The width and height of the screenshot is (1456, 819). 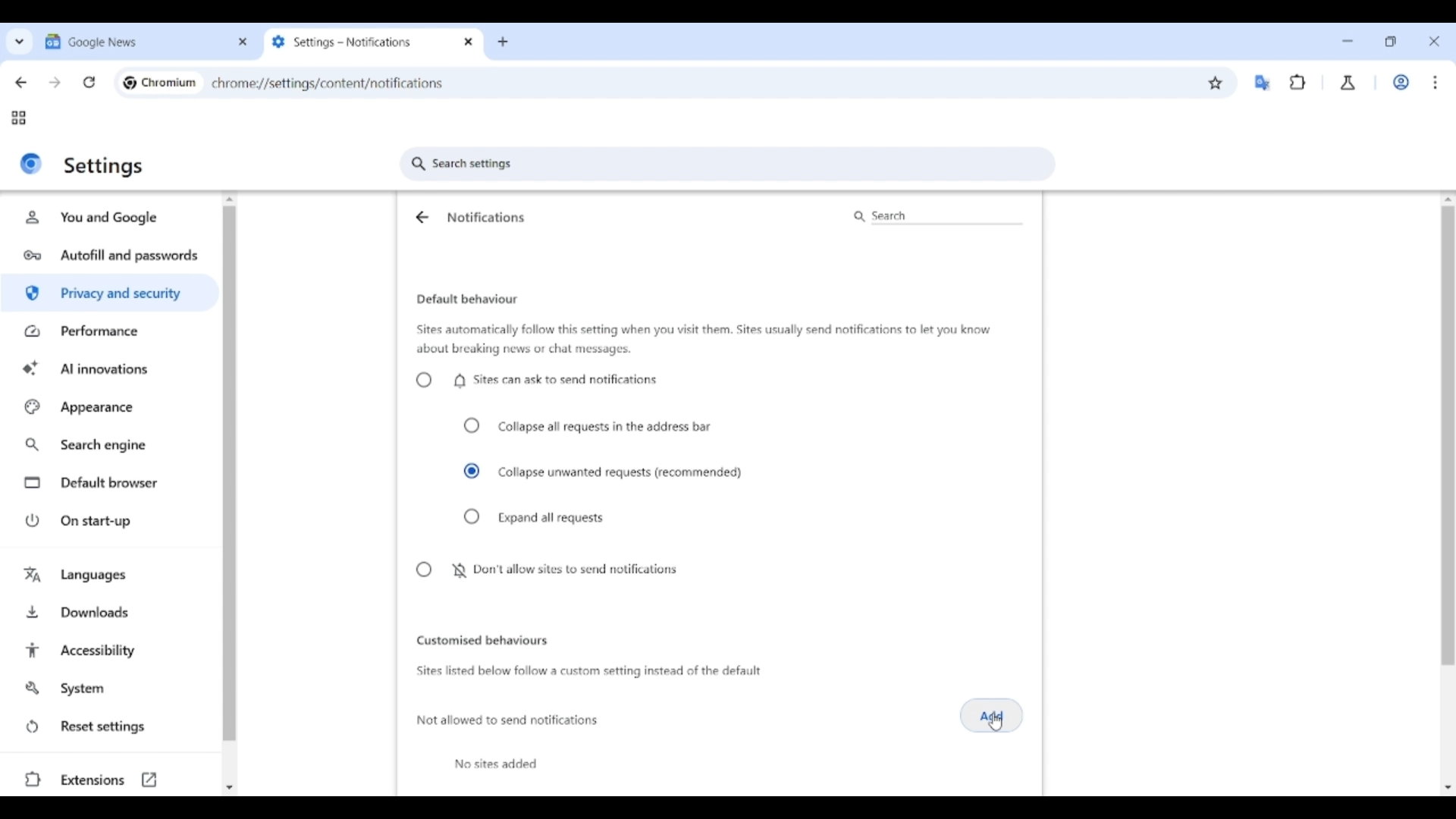 I want to click on Quick slide to top, so click(x=230, y=199).